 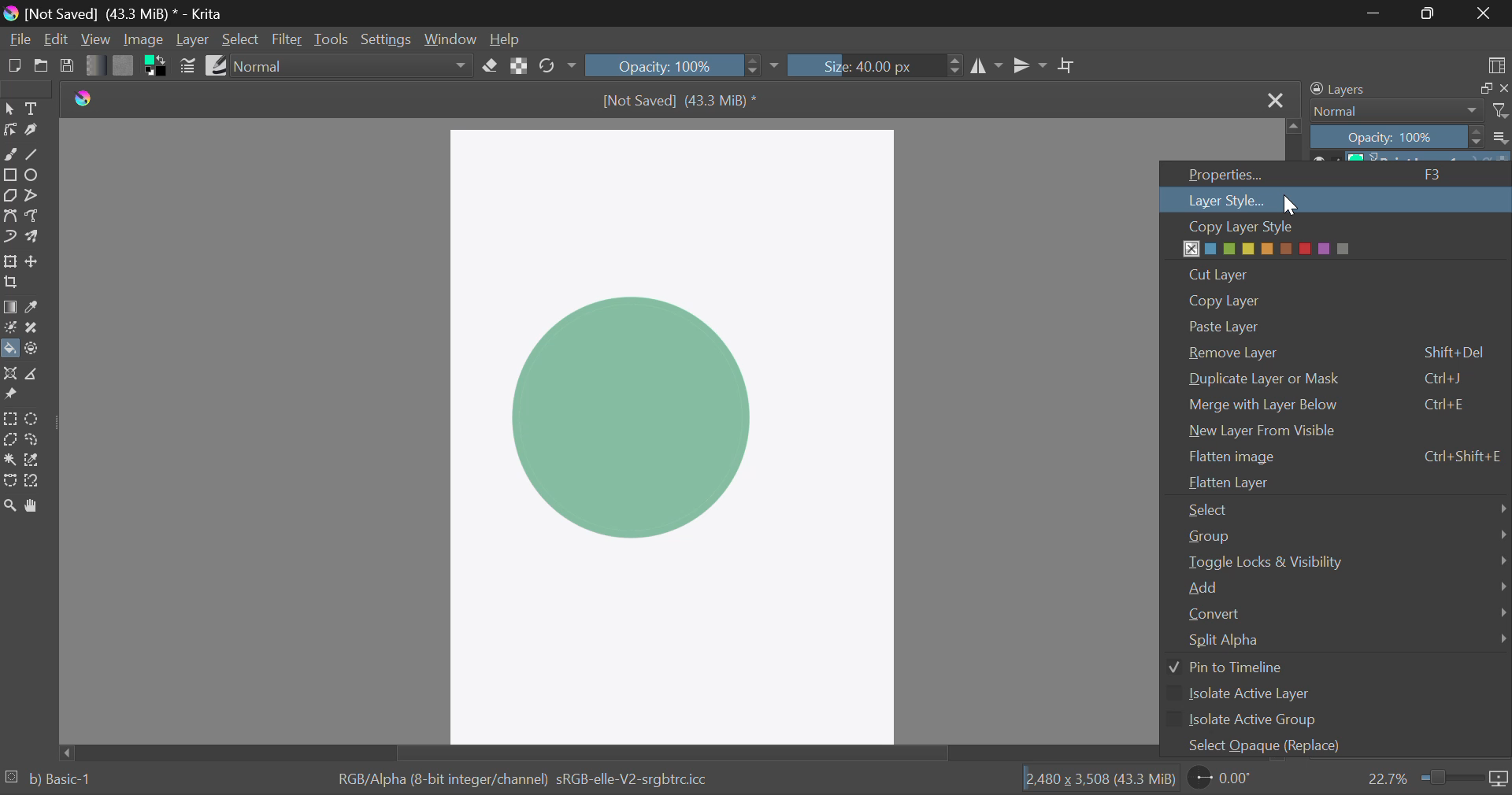 What do you see at coordinates (96, 41) in the screenshot?
I see `View` at bounding box center [96, 41].